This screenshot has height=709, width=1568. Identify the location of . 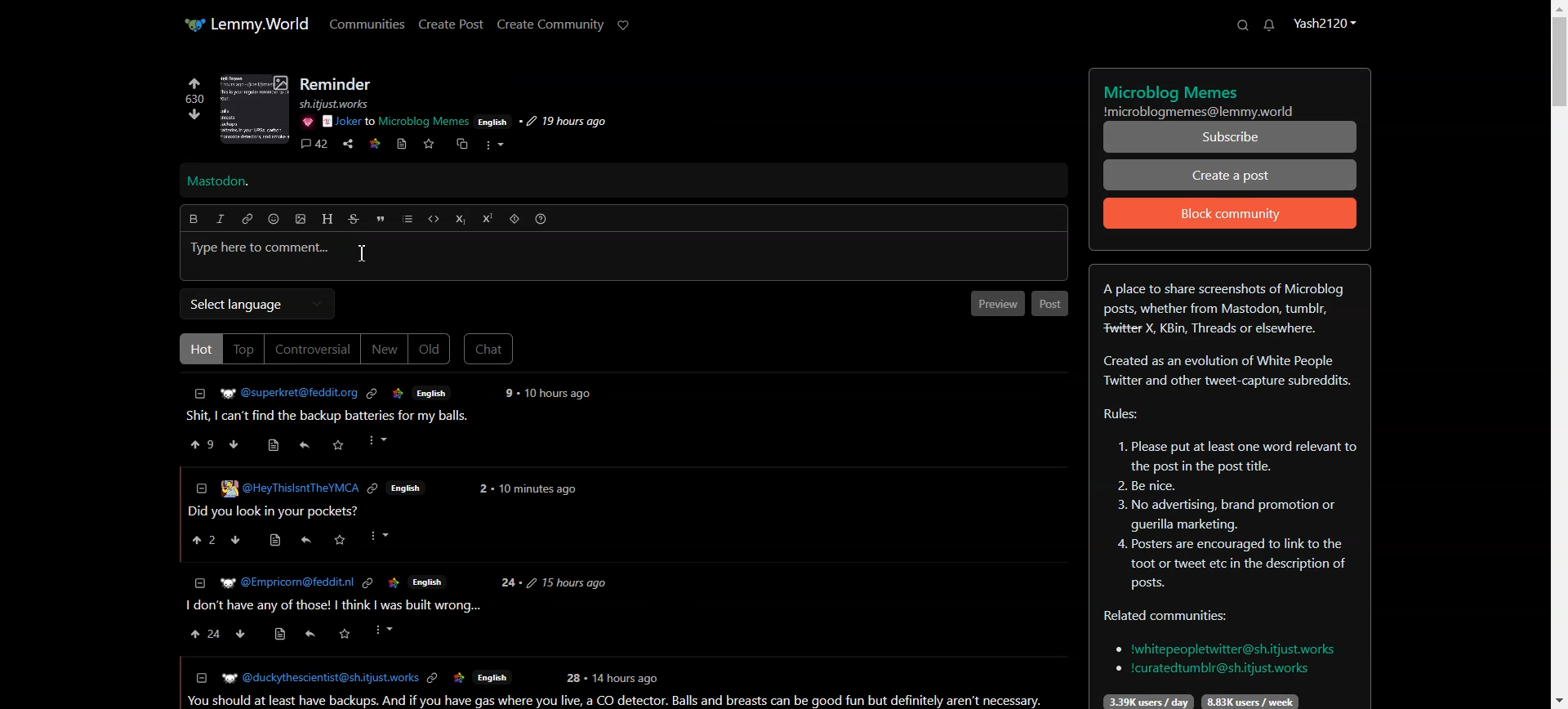
(367, 583).